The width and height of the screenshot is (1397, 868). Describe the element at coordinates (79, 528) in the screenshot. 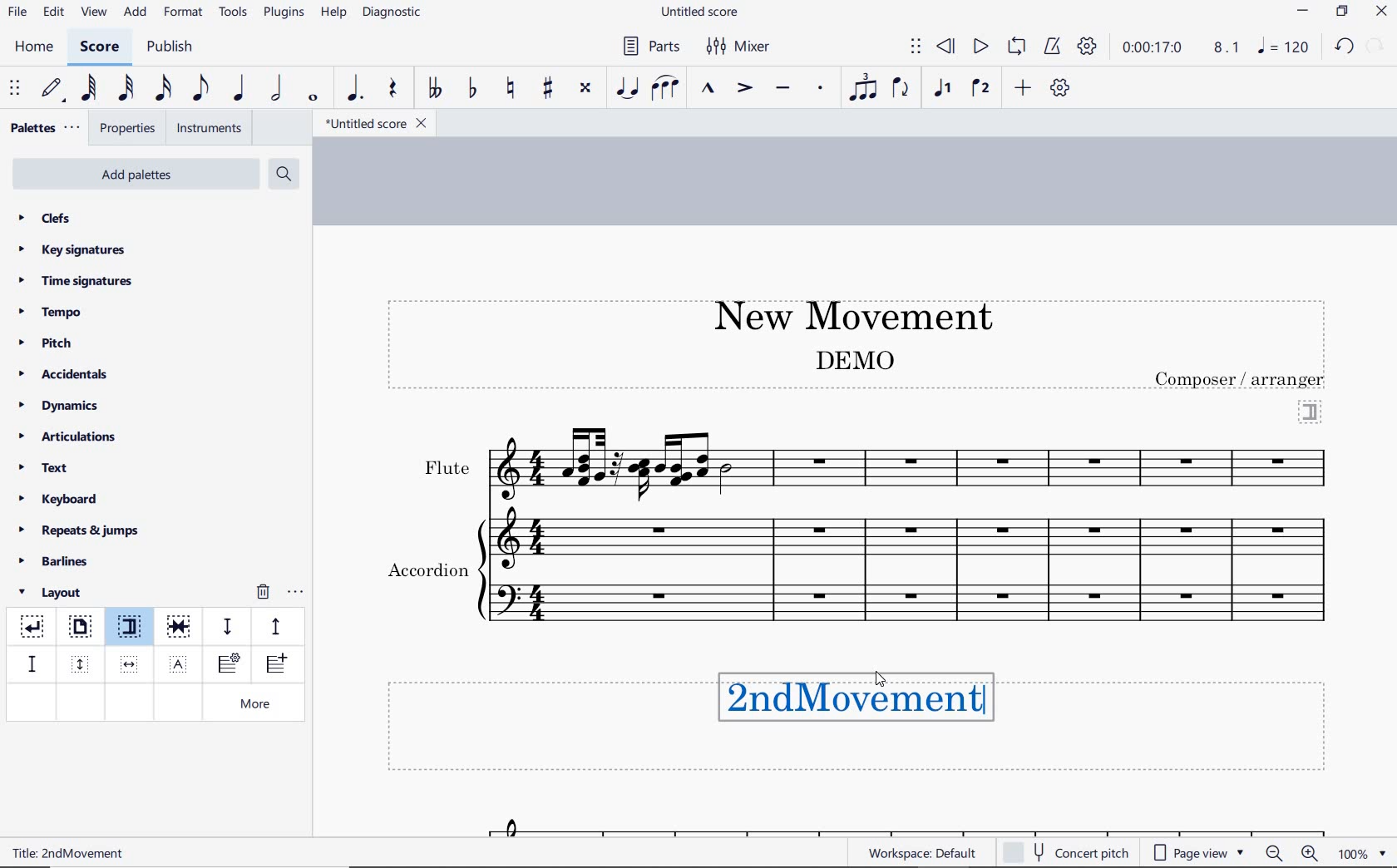

I see `repeats & jumps` at that location.